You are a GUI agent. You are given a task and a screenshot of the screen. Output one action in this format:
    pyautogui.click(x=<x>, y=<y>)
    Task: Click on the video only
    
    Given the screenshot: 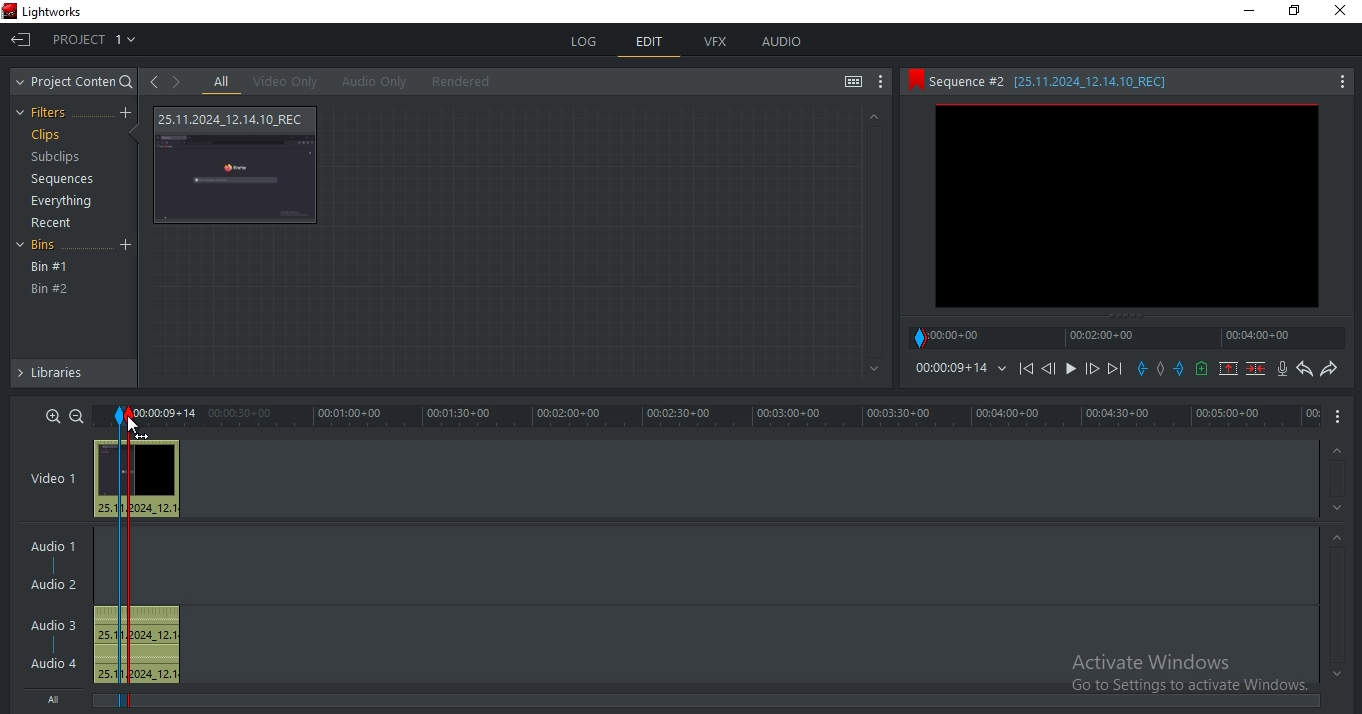 What is the action you would take?
    pyautogui.click(x=285, y=82)
    